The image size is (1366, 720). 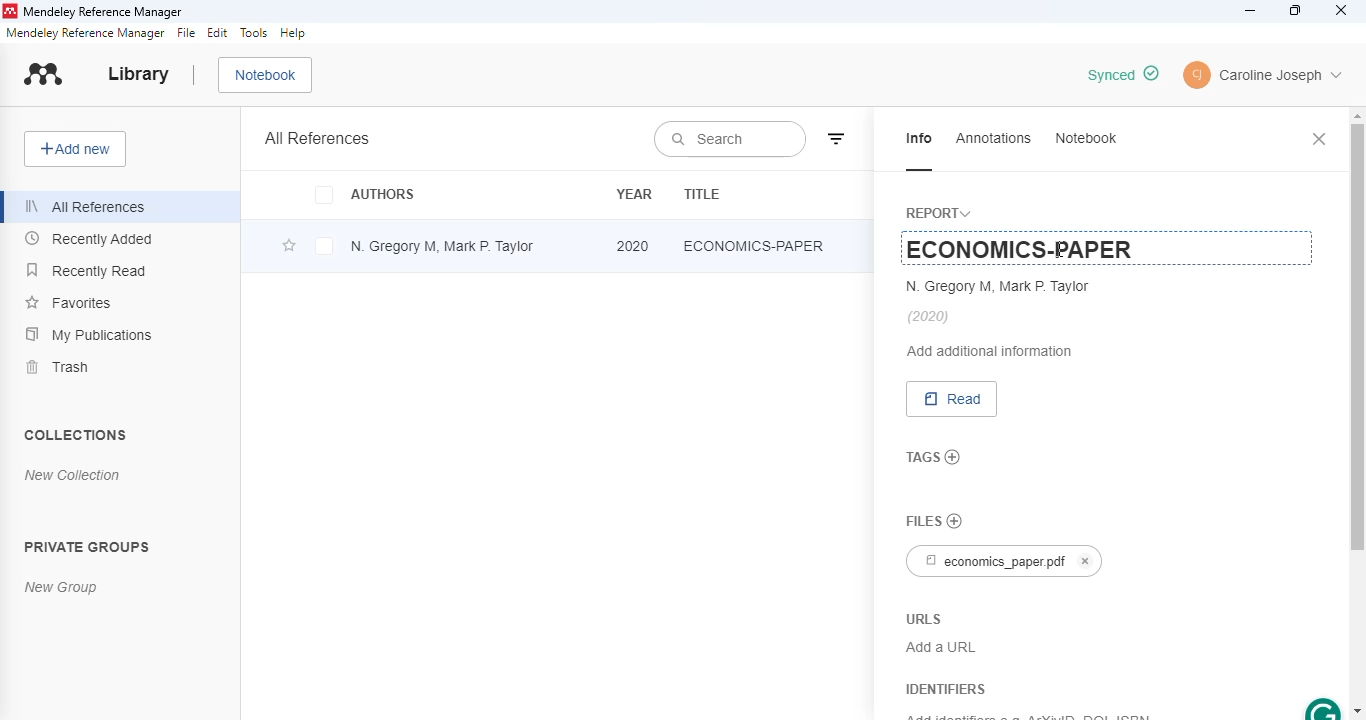 I want to click on grammarly extension, so click(x=1321, y=708).